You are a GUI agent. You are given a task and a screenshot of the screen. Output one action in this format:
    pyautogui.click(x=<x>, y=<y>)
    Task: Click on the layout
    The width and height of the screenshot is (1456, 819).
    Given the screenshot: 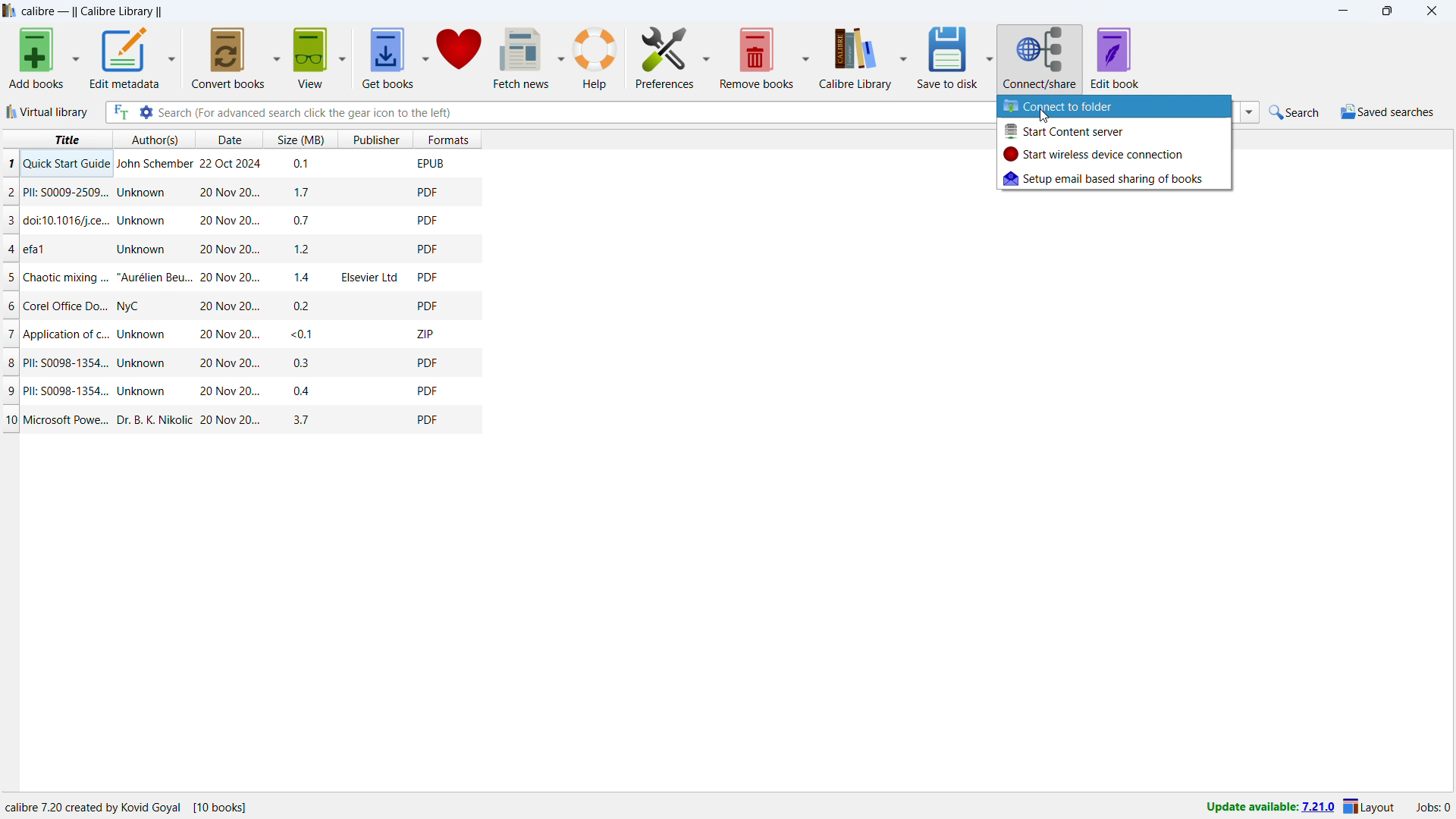 What is the action you would take?
    pyautogui.click(x=1371, y=808)
    